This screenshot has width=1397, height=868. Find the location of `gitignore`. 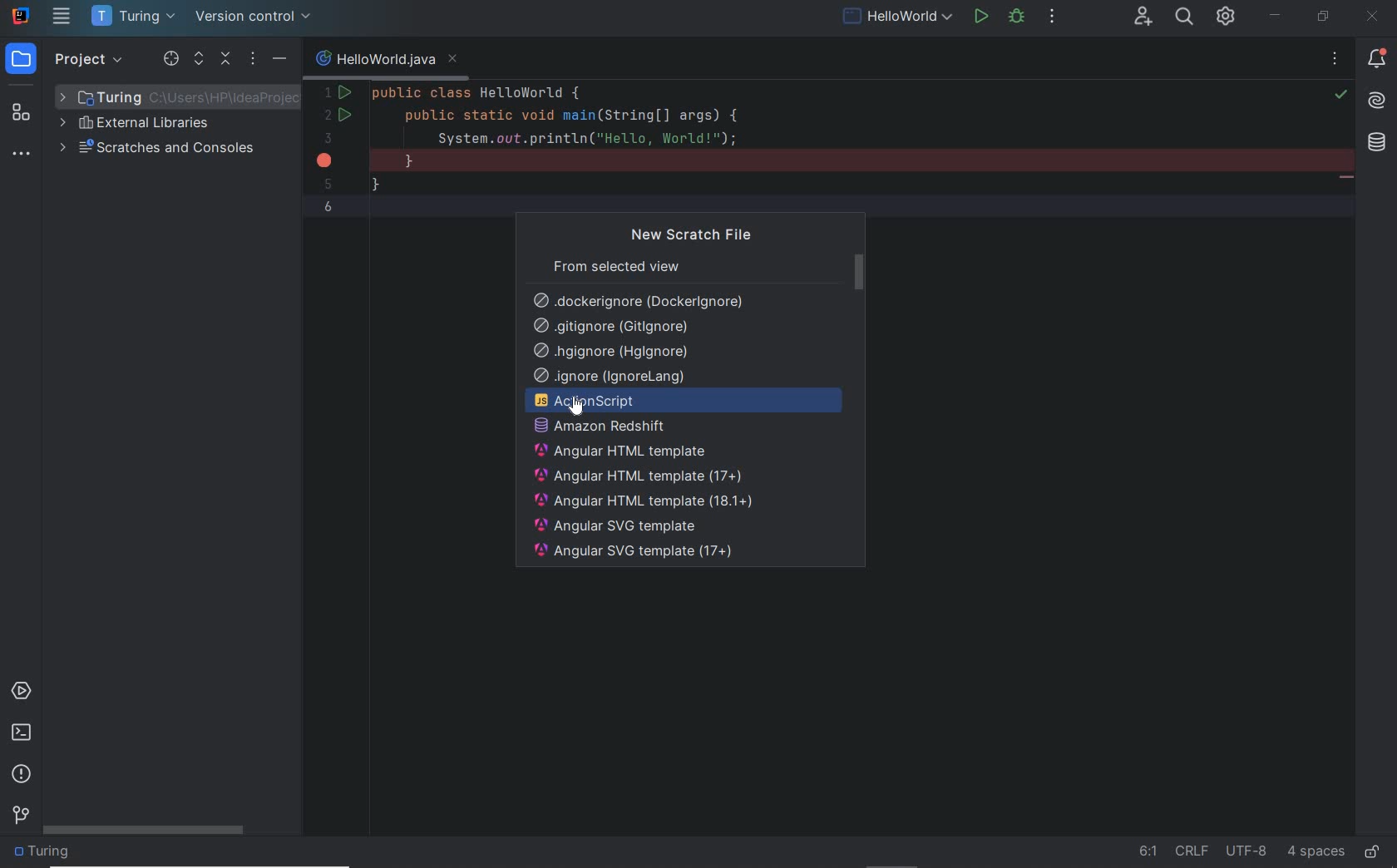

gitignore is located at coordinates (610, 328).